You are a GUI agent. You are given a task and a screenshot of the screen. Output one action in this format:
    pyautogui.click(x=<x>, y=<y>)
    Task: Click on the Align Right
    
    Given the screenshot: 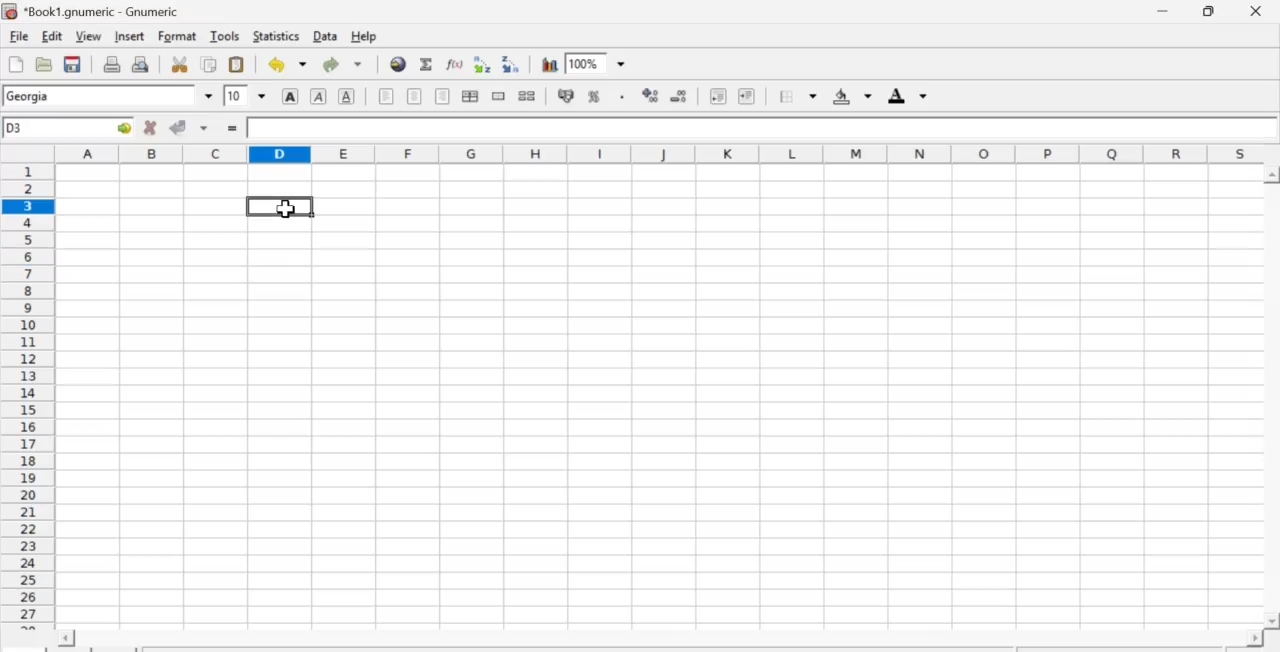 What is the action you would take?
    pyautogui.click(x=443, y=97)
    